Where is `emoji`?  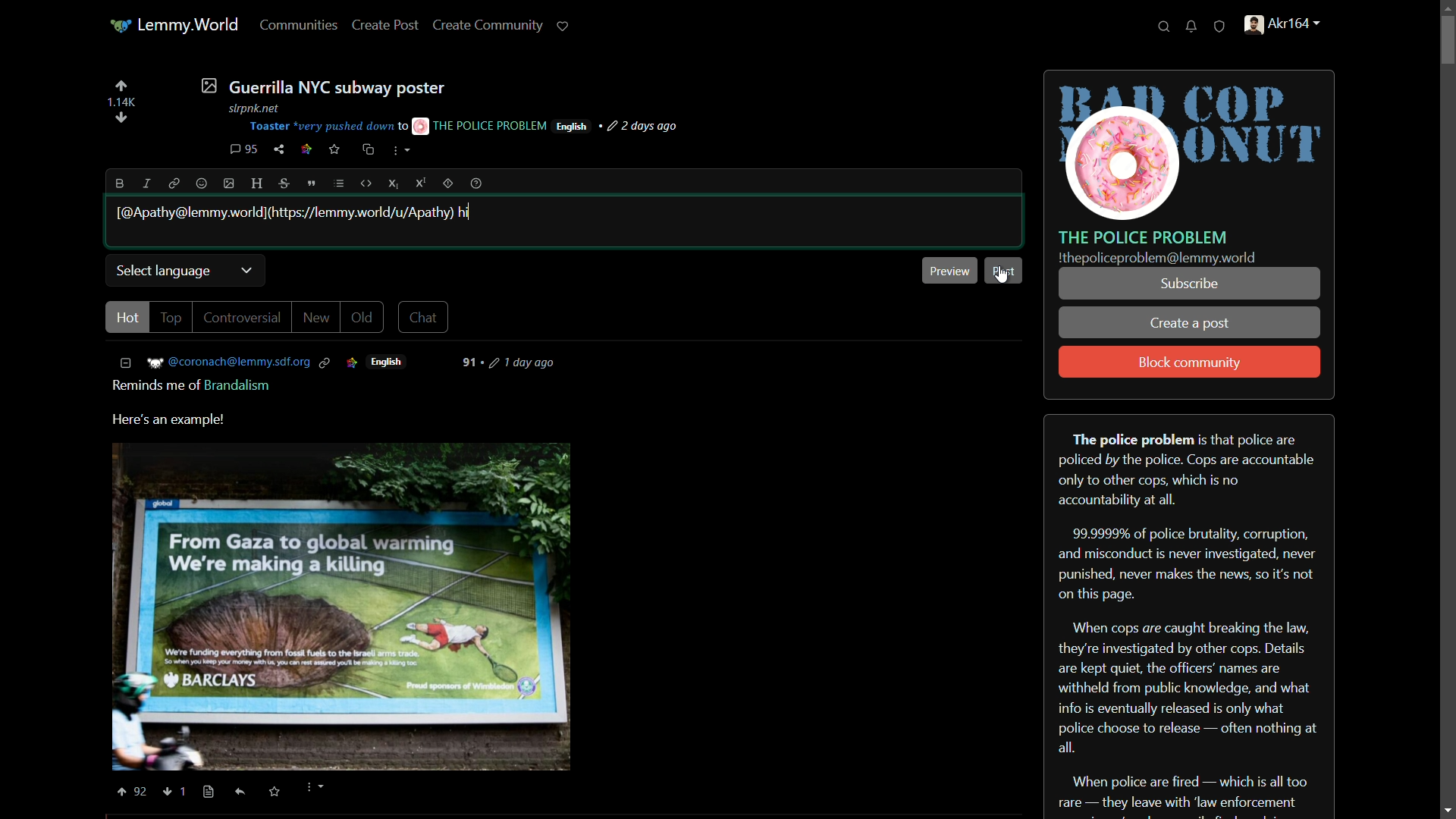 emoji is located at coordinates (202, 184).